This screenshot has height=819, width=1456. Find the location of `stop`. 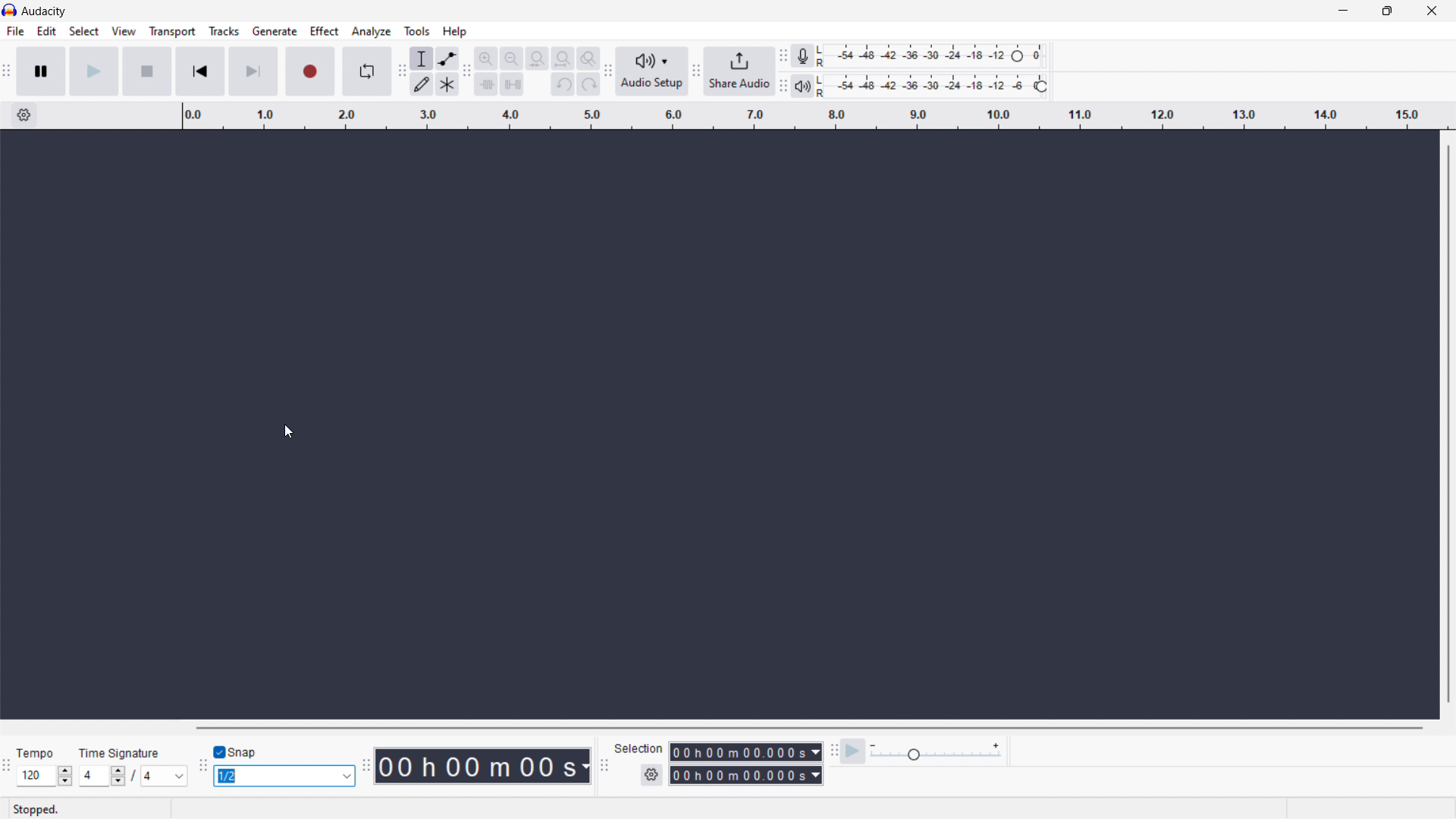

stop is located at coordinates (146, 72).